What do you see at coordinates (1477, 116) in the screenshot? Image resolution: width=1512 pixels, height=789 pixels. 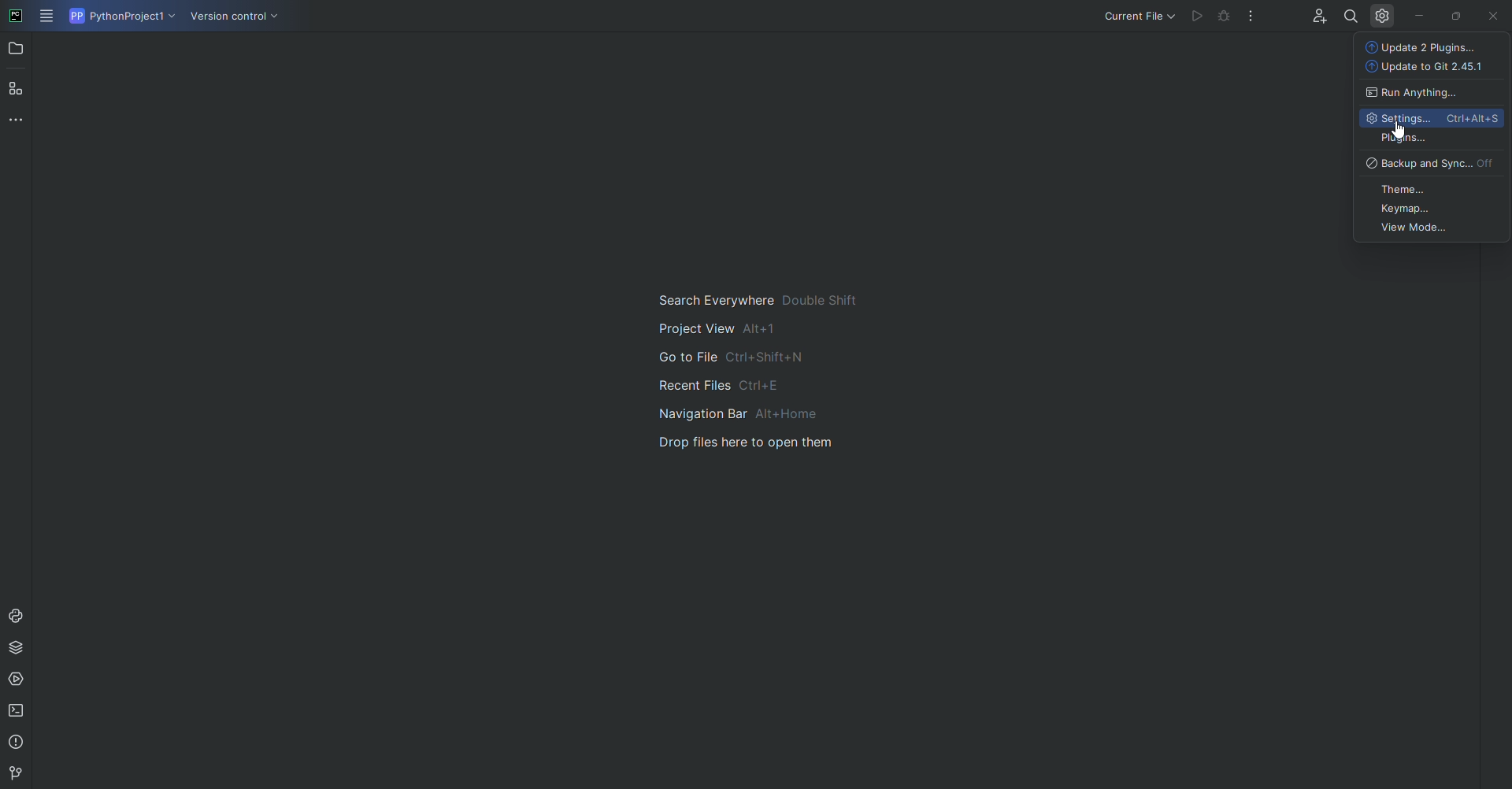 I see `shortcut` at bounding box center [1477, 116].